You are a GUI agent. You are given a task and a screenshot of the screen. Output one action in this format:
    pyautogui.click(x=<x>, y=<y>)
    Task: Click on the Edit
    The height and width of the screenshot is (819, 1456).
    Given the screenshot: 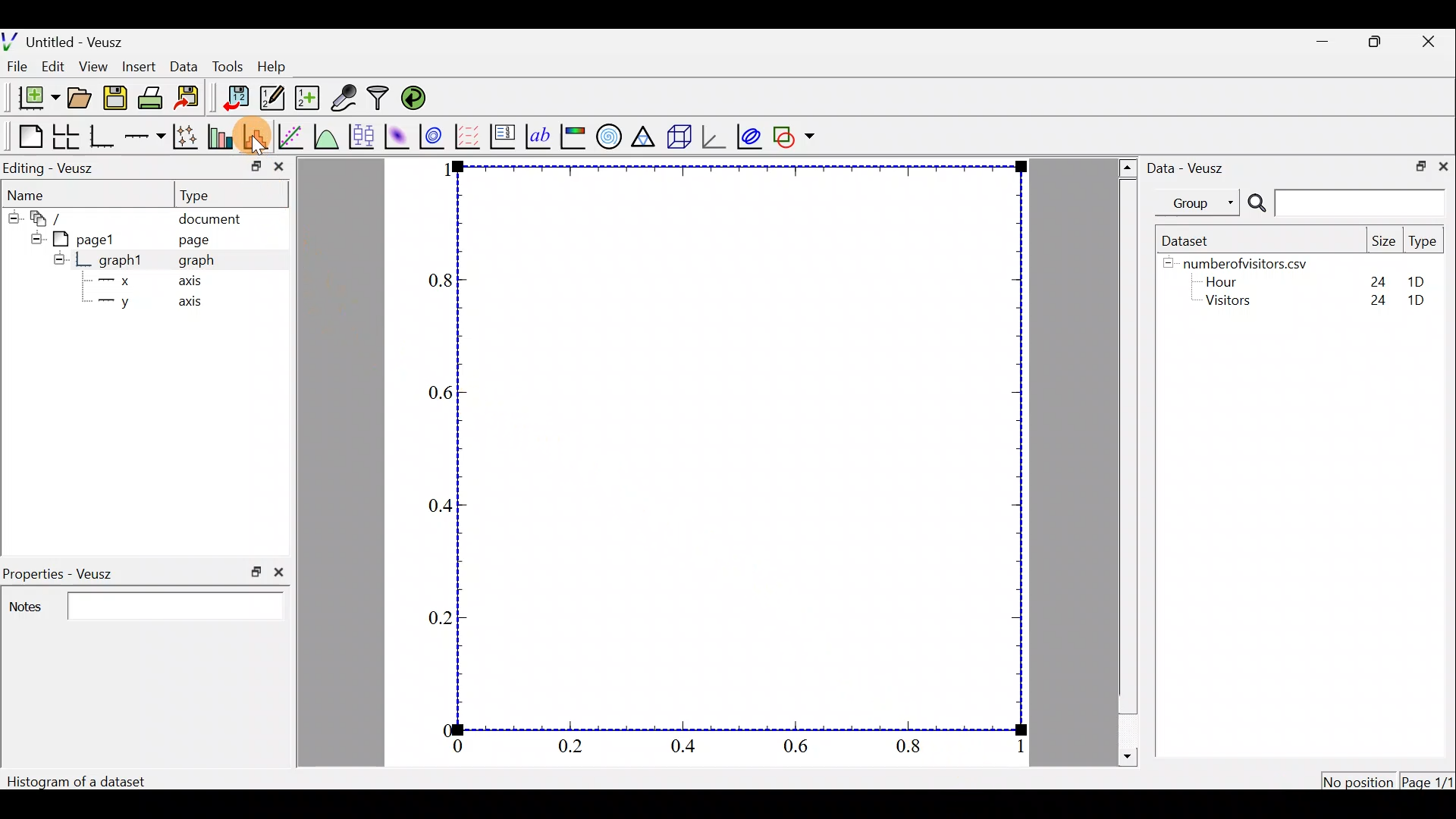 What is the action you would take?
    pyautogui.click(x=55, y=67)
    